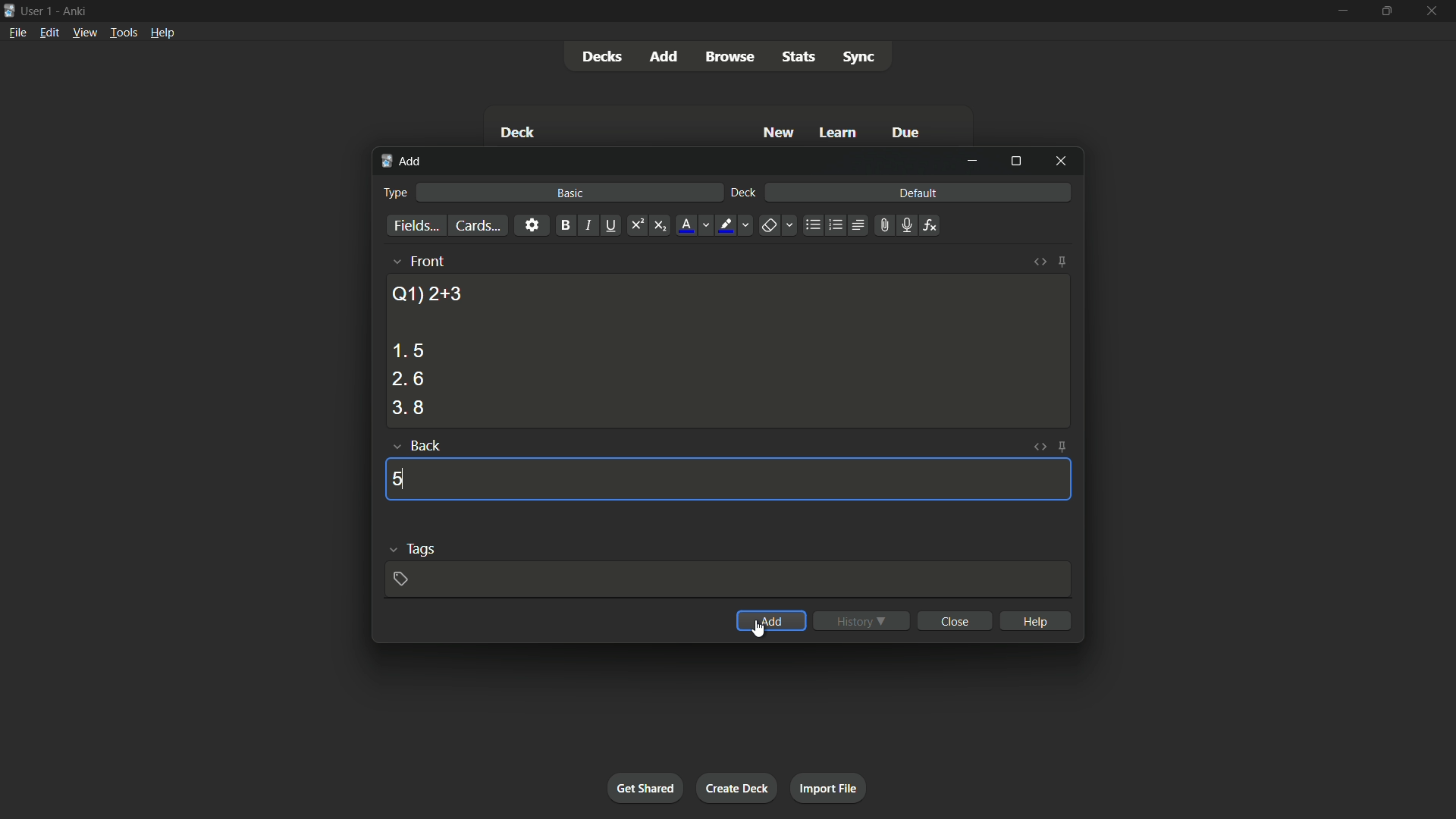 The width and height of the screenshot is (1456, 819). I want to click on add, so click(667, 55).